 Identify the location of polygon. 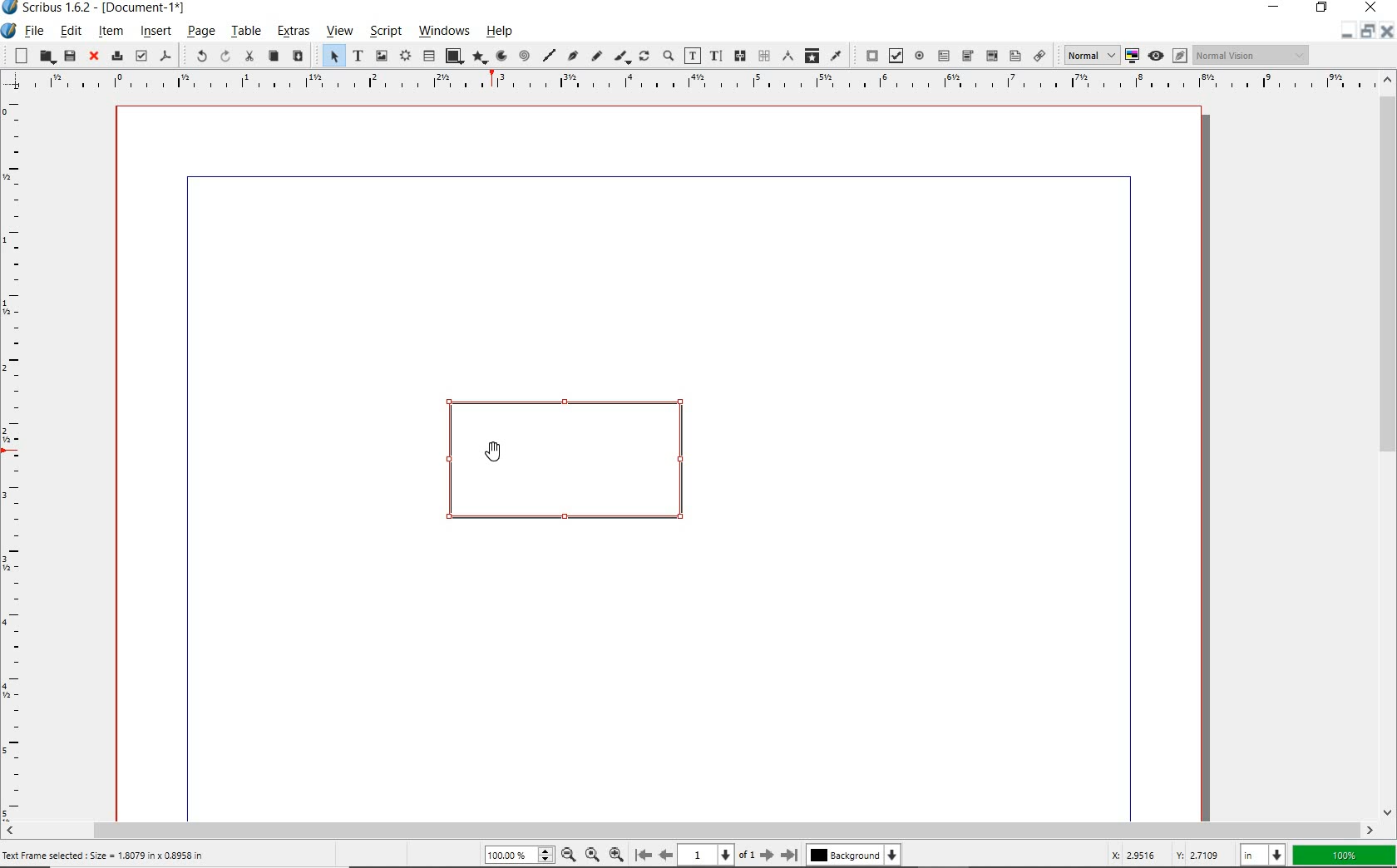
(481, 58).